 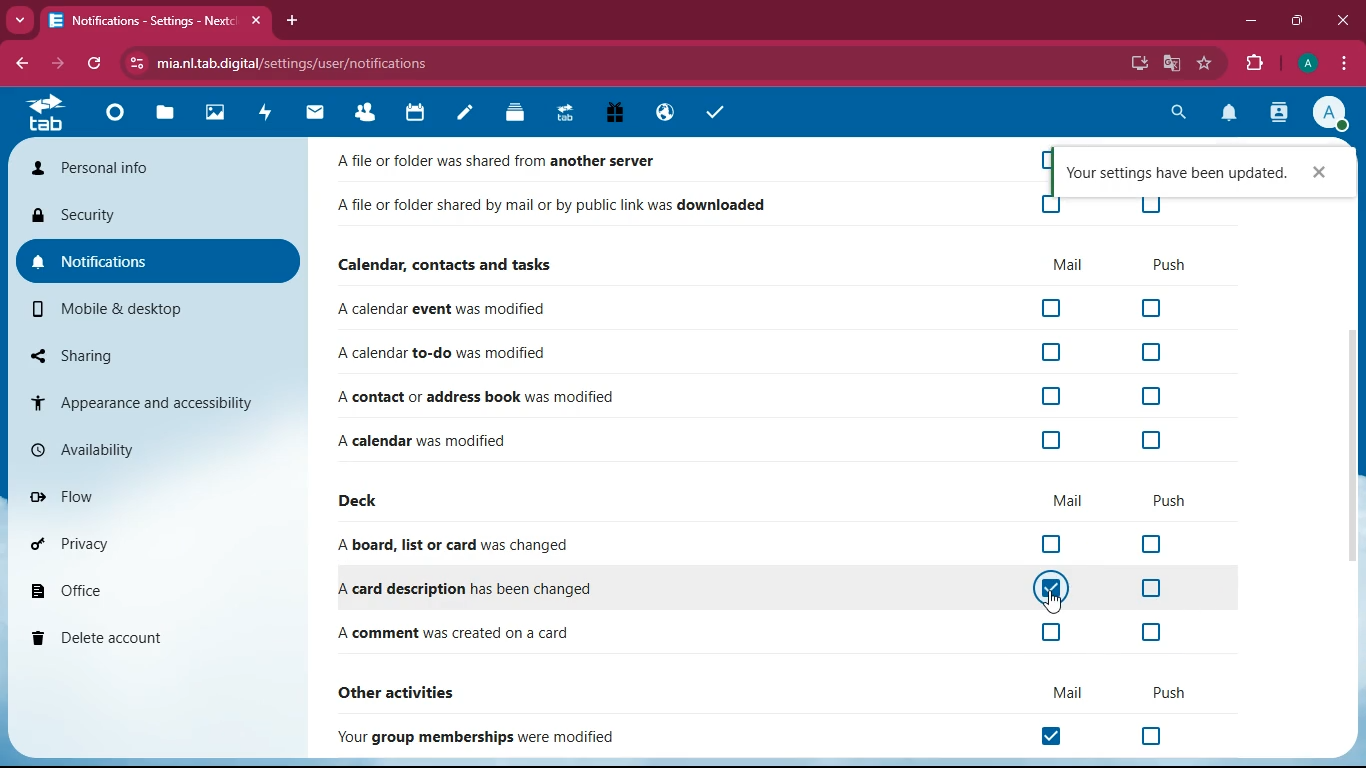 What do you see at coordinates (55, 64) in the screenshot?
I see `forward` at bounding box center [55, 64].